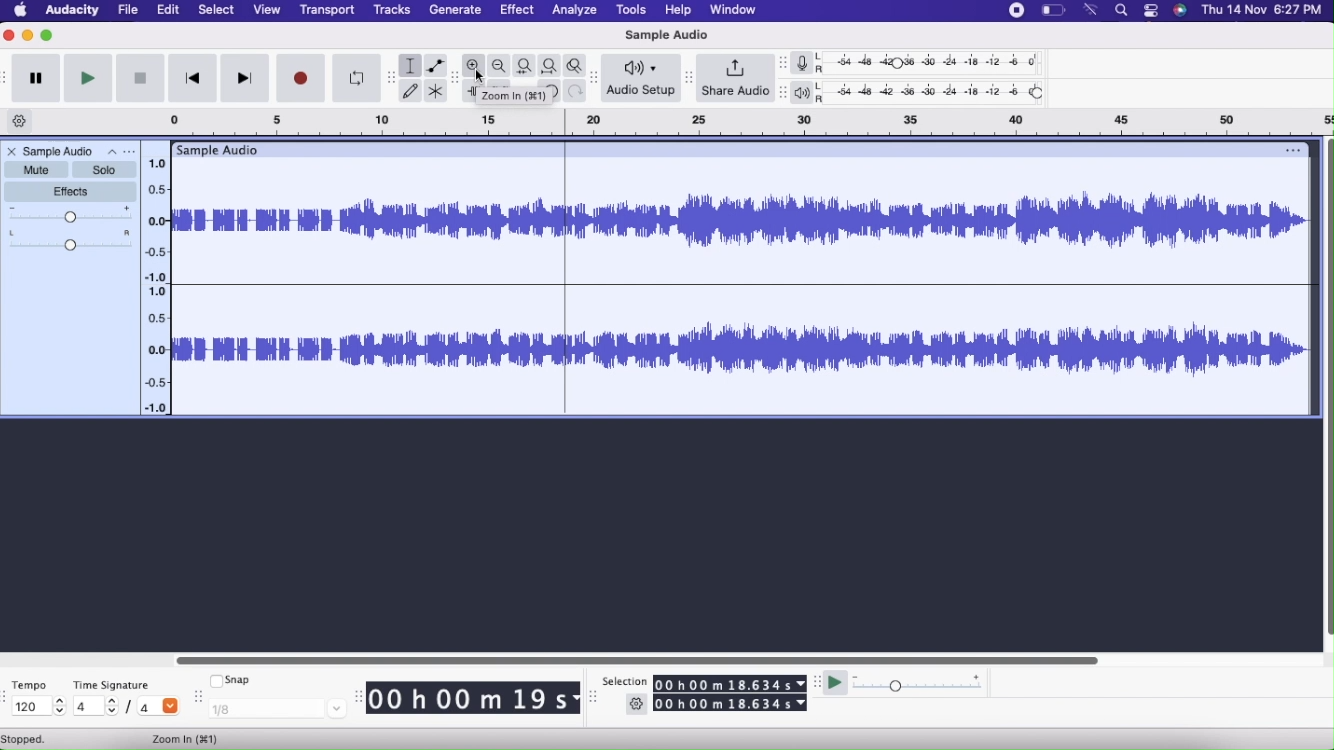 The width and height of the screenshot is (1334, 750). I want to click on Play, so click(89, 79).